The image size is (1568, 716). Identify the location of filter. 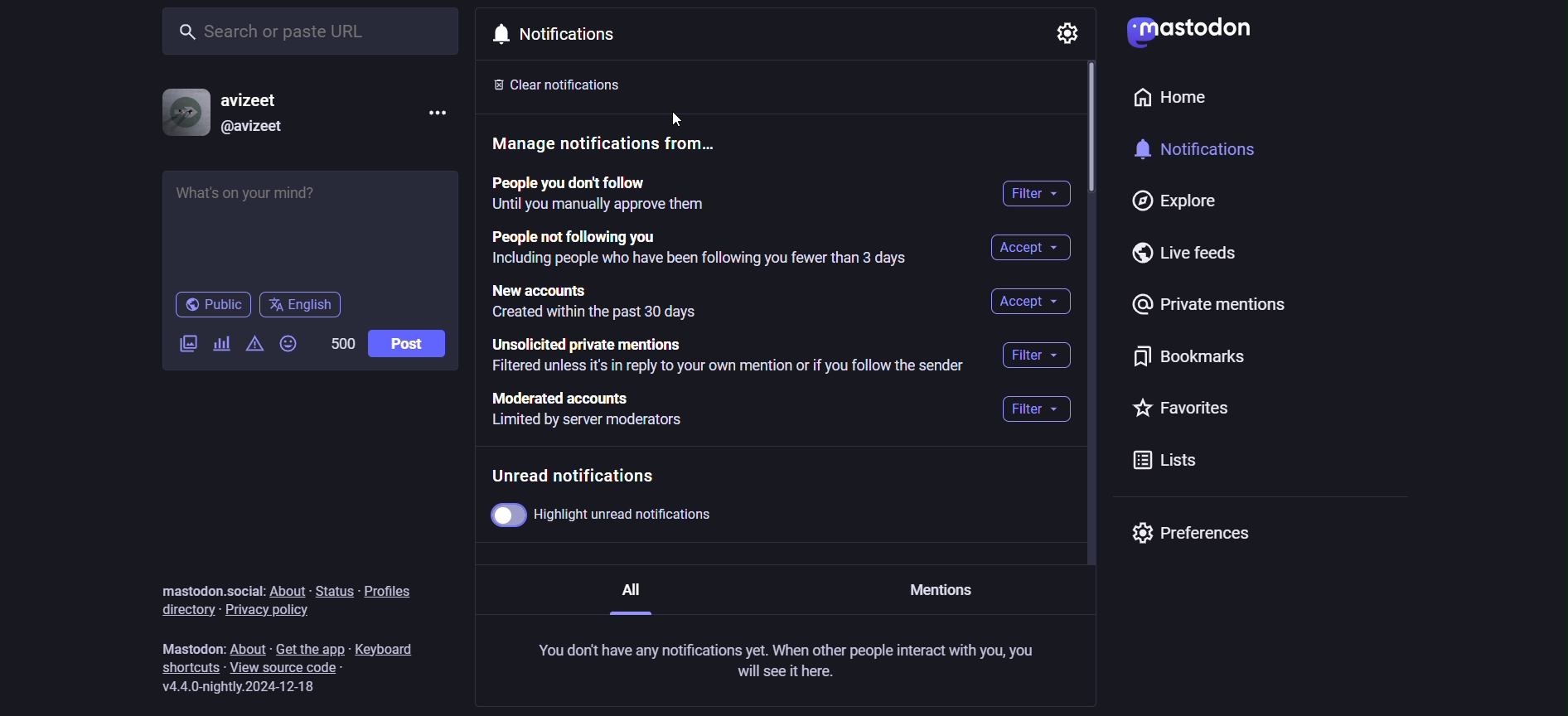
(1039, 196).